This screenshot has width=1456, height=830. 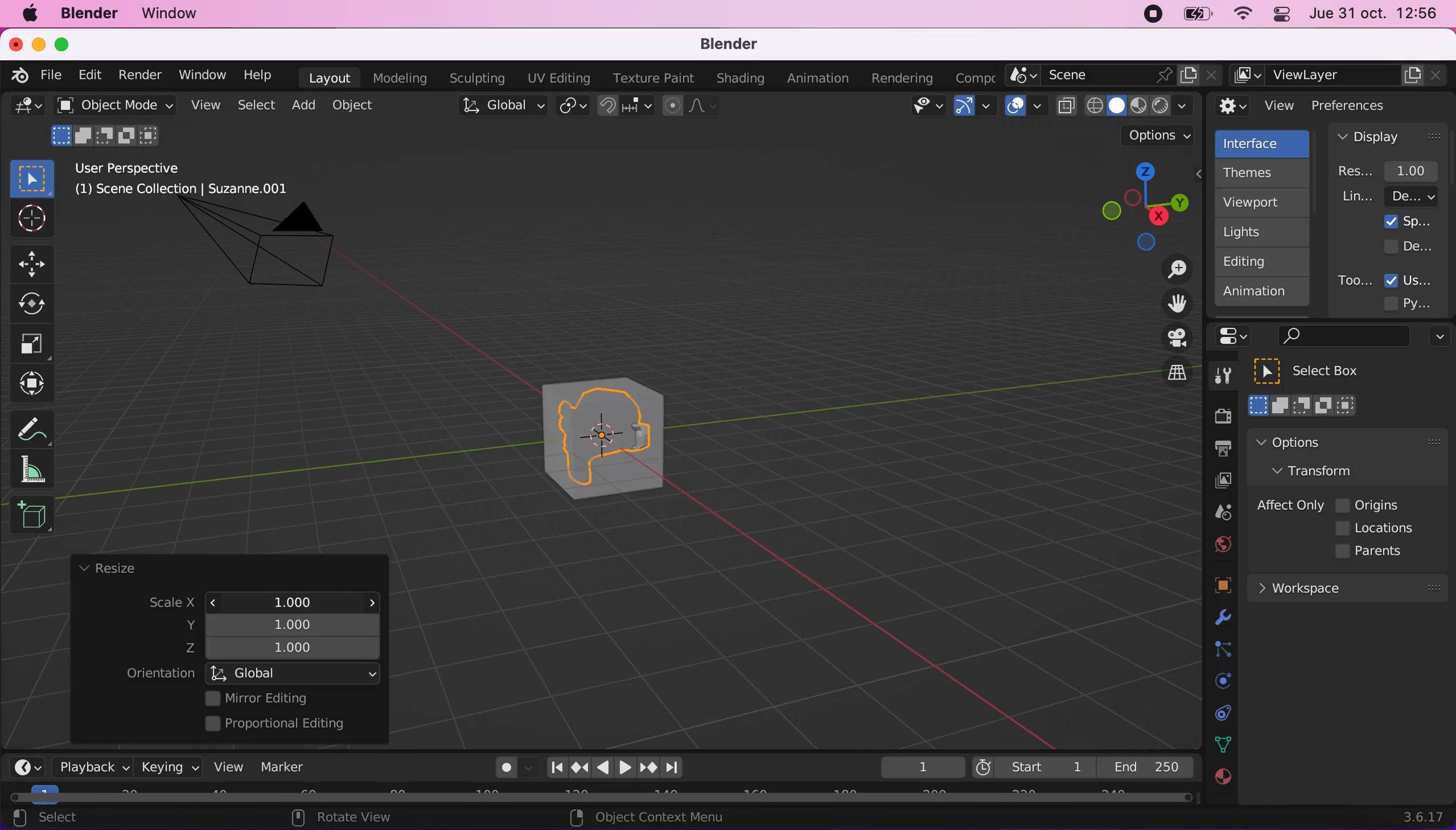 What do you see at coordinates (283, 767) in the screenshot?
I see `marker` at bounding box center [283, 767].